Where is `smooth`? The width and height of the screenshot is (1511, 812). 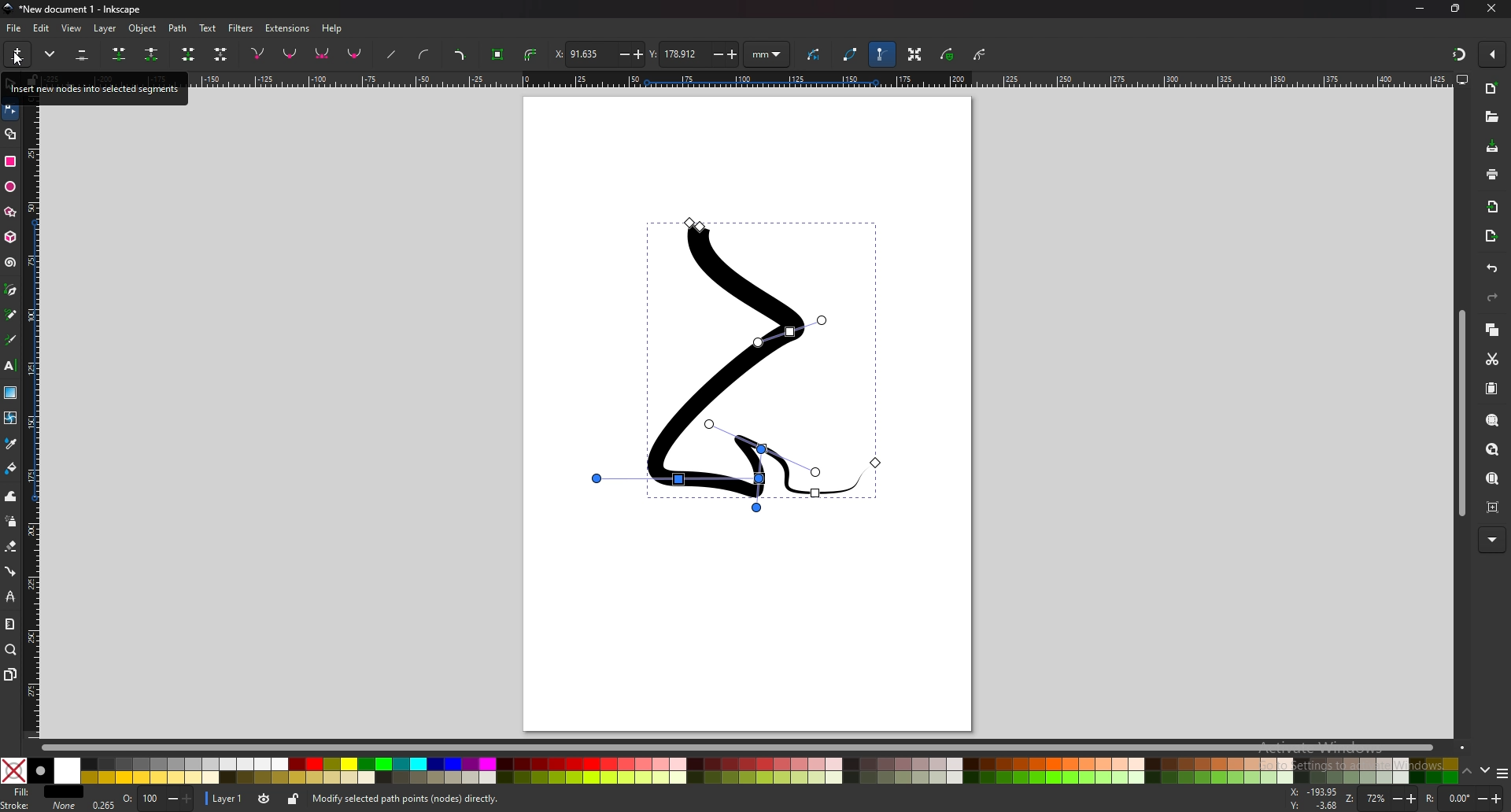 smooth is located at coordinates (291, 54).